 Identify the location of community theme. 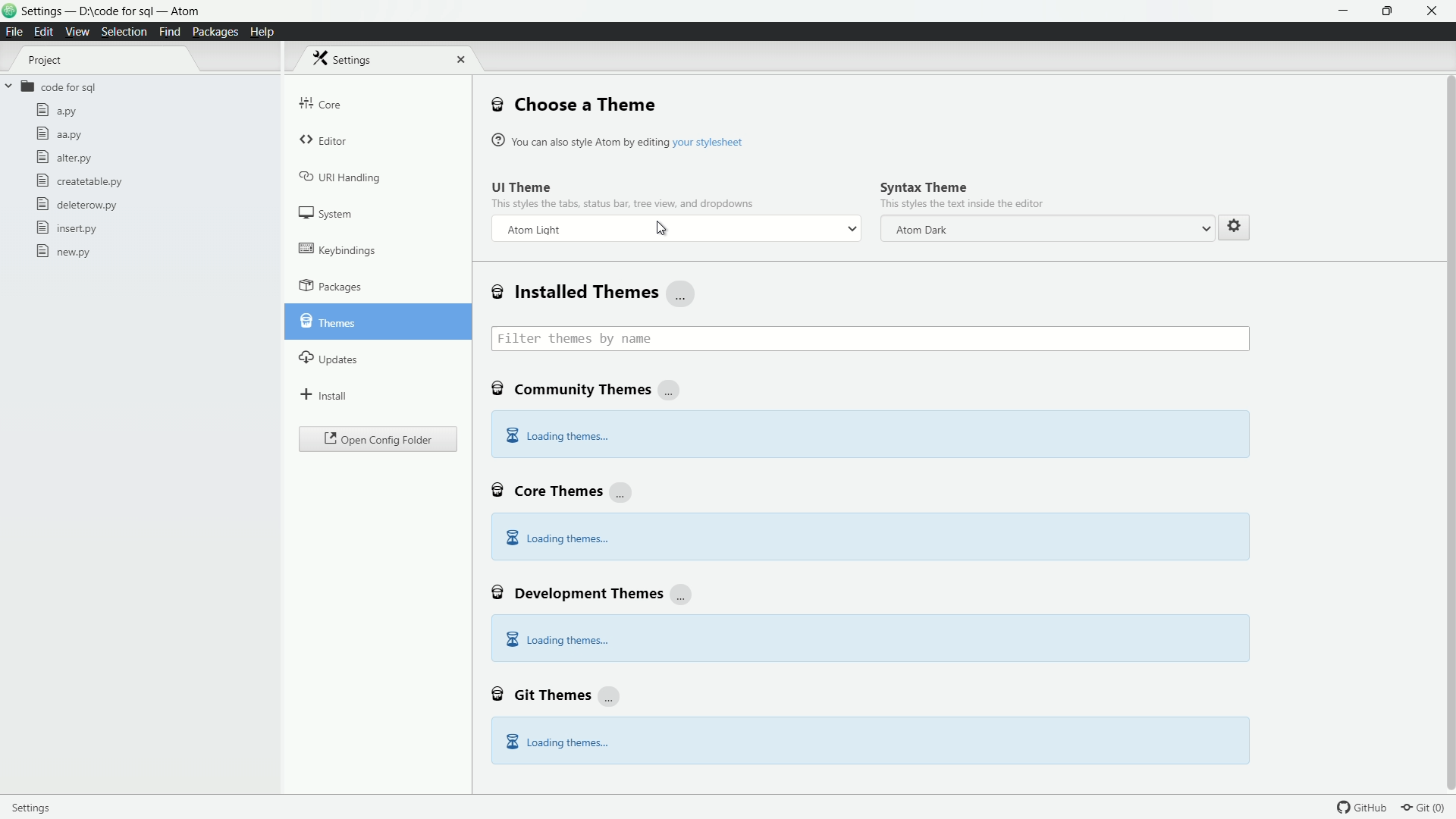
(588, 391).